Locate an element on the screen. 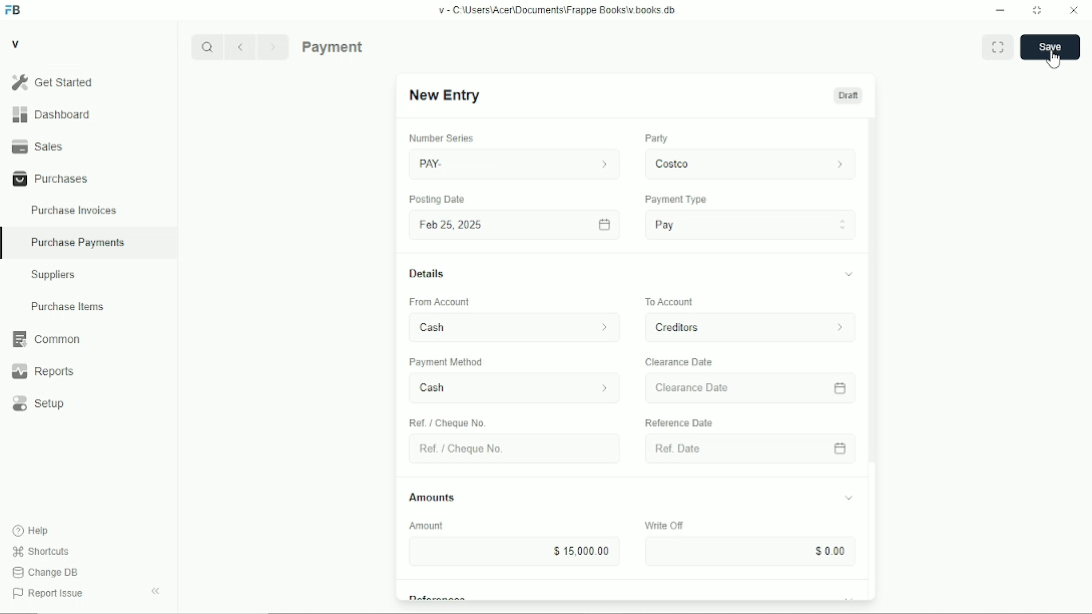  Cash is located at coordinates (505, 389).